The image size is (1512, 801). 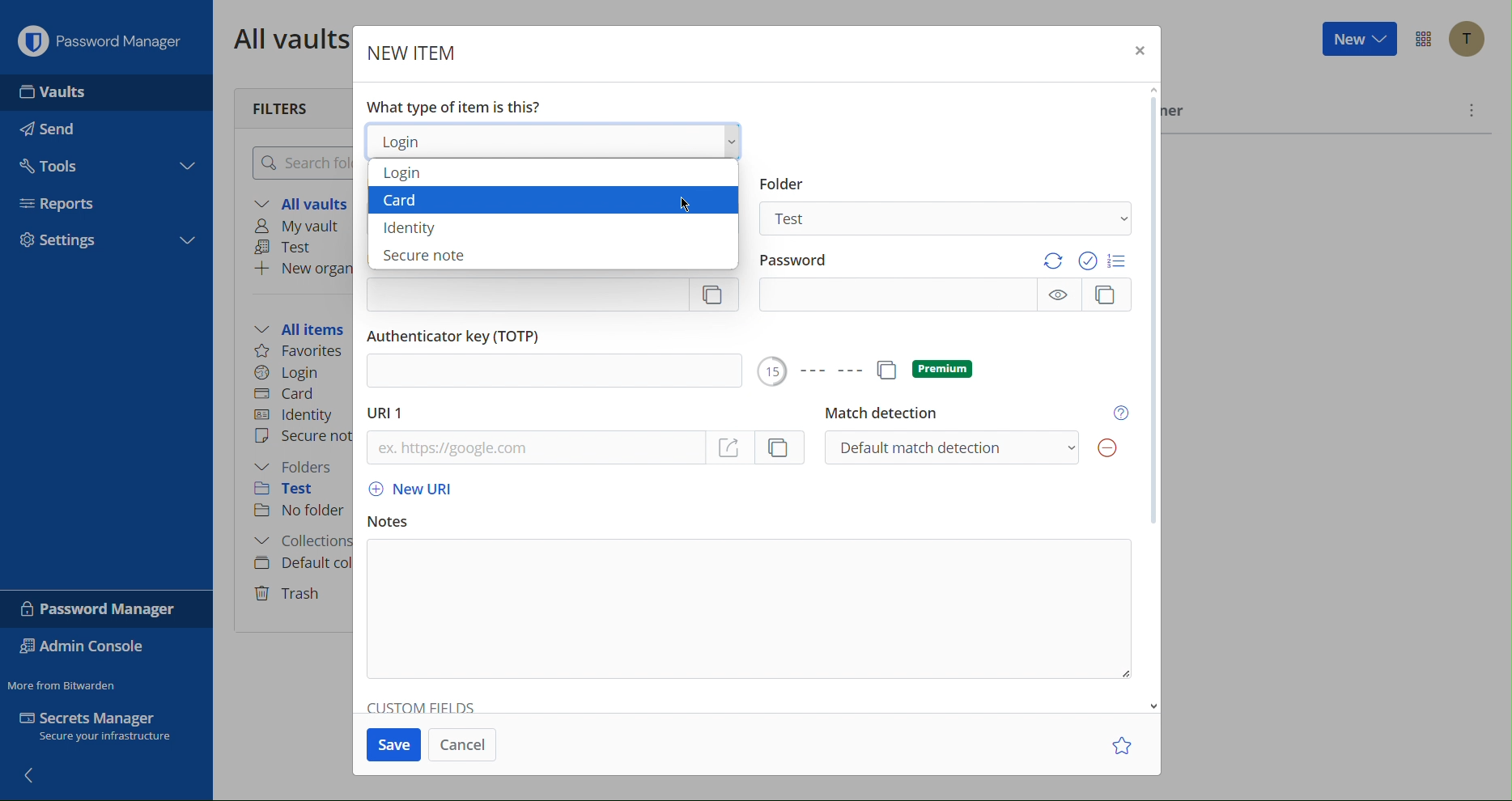 I want to click on Cancel, so click(x=462, y=745).